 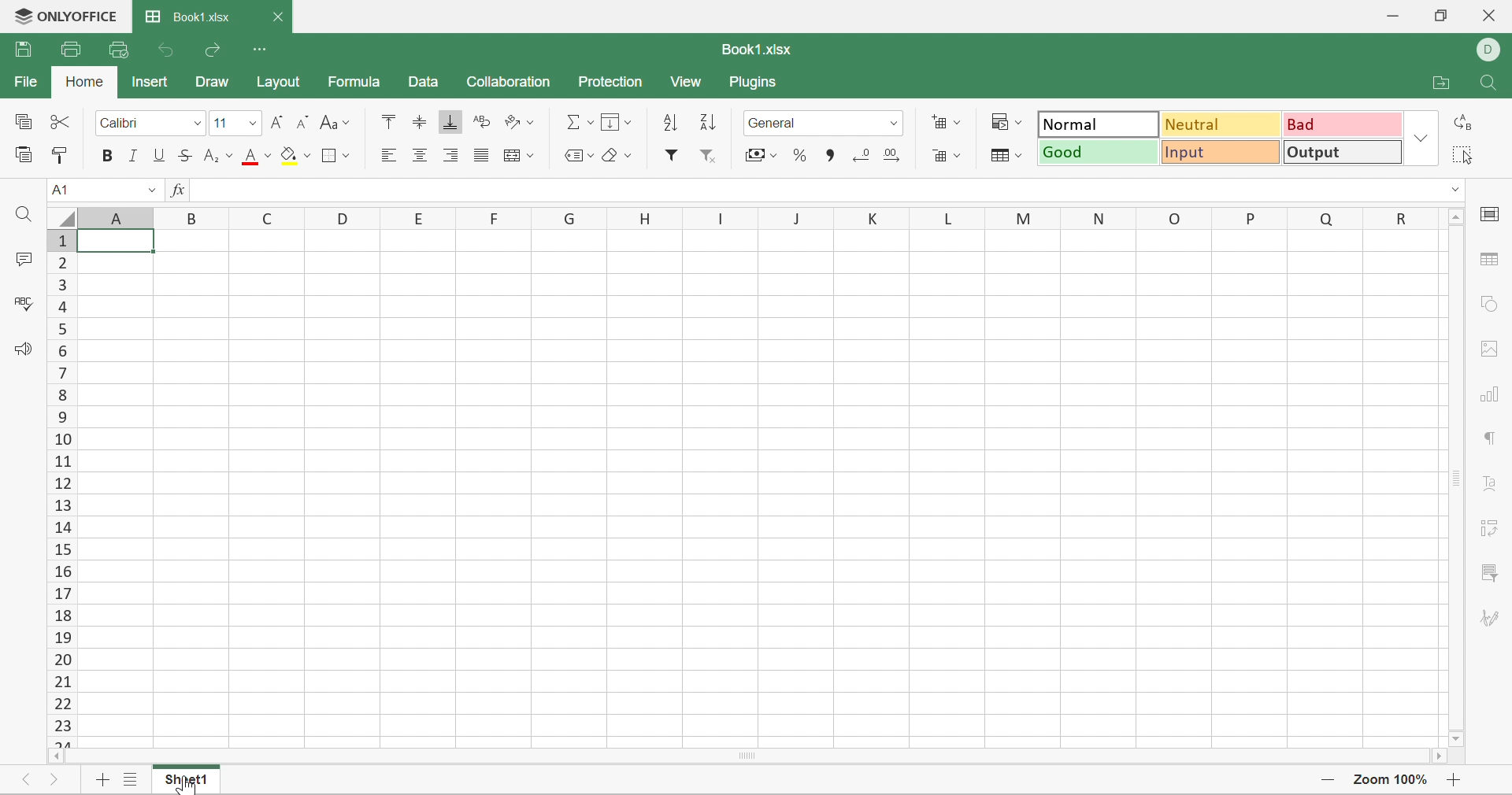 What do you see at coordinates (345, 218) in the screenshot?
I see `D` at bounding box center [345, 218].